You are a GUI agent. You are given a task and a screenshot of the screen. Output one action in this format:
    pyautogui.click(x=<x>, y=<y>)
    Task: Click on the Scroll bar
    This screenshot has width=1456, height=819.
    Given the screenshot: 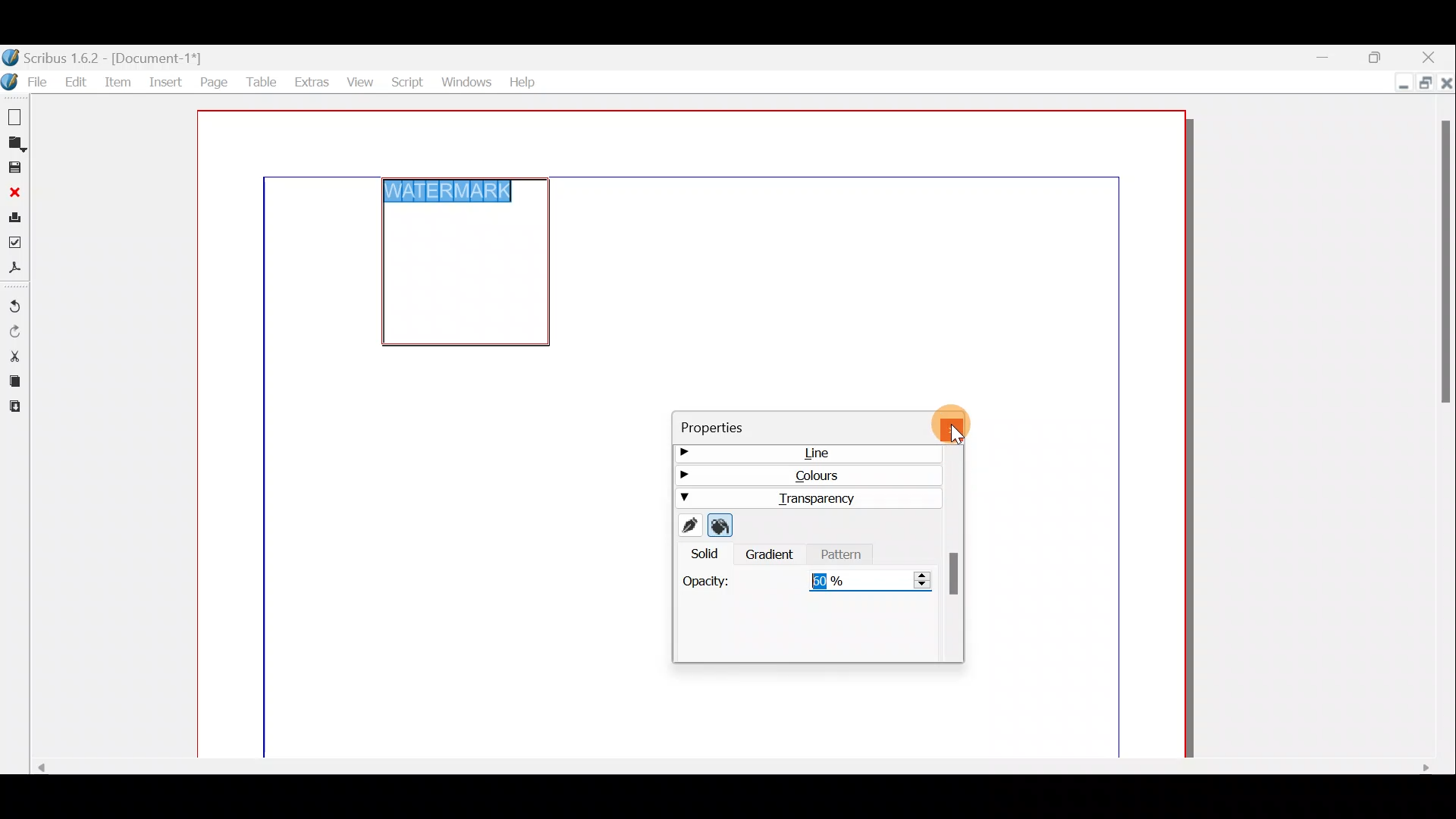 What is the action you would take?
    pyautogui.click(x=956, y=573)
    